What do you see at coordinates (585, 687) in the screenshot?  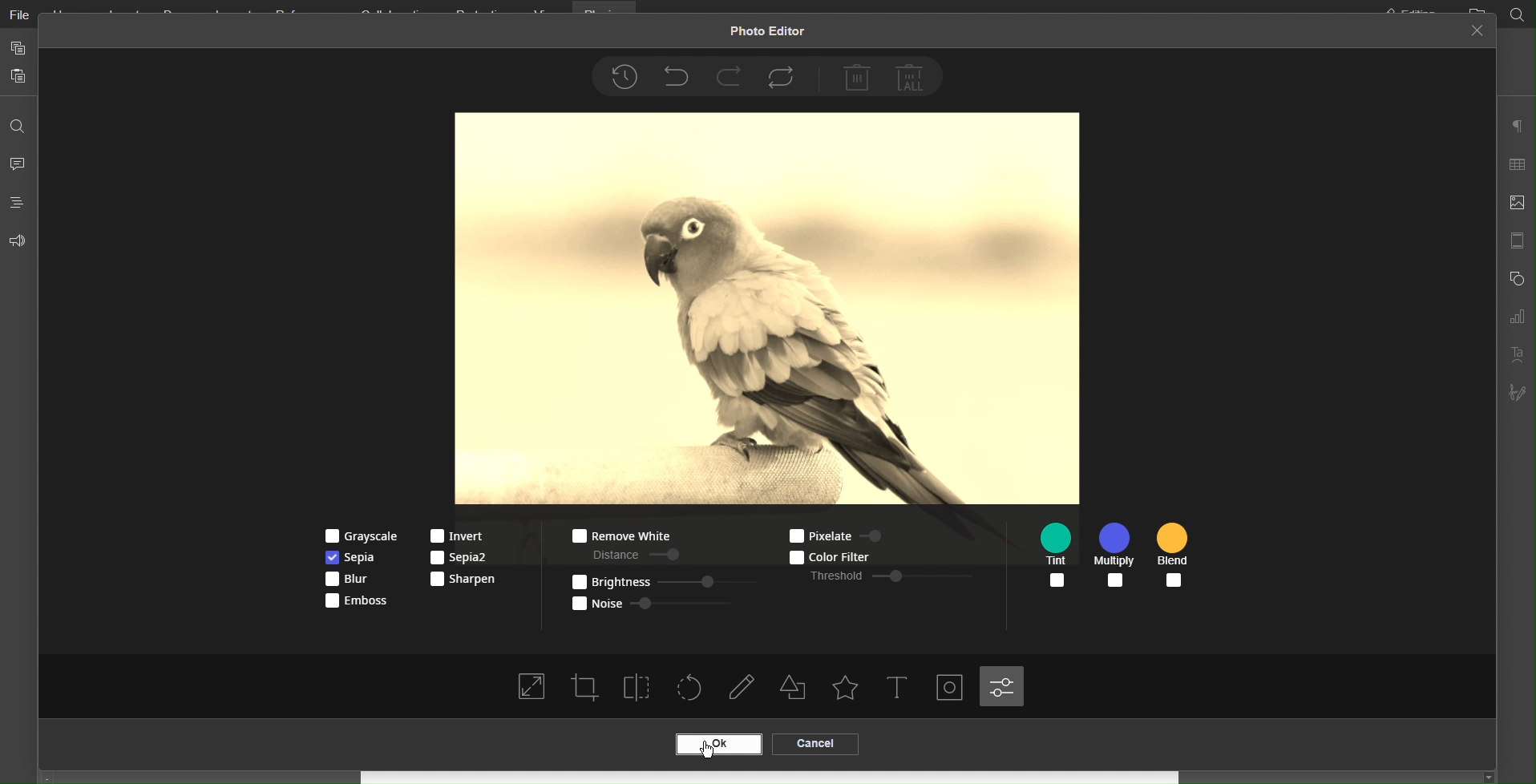 I see `Crop` at bounding box center [585, 687].